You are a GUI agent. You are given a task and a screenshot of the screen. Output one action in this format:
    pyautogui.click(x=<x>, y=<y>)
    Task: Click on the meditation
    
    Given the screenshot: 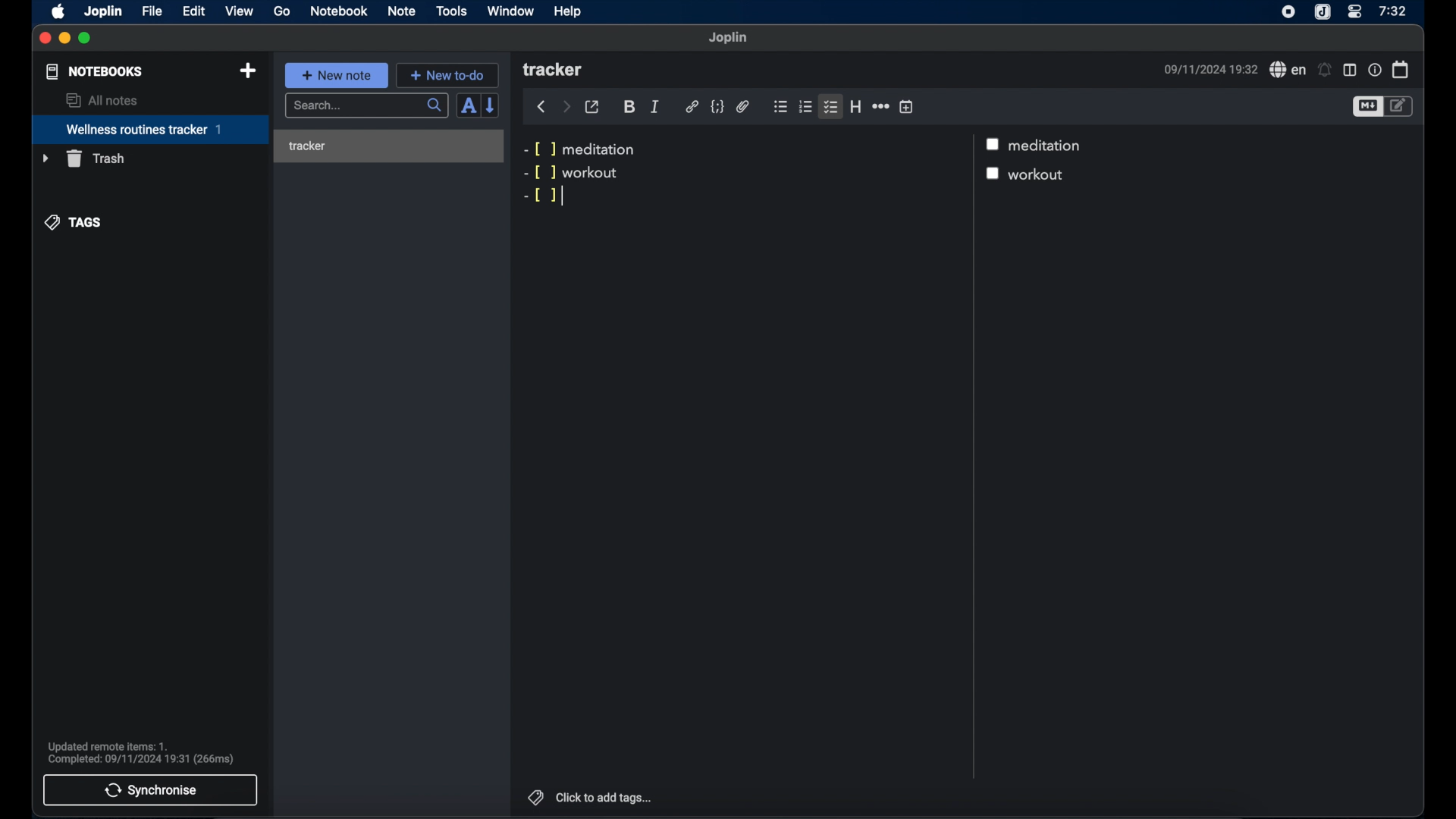 What is the action you would take?
    pyautogui.click(x=1048, y=146)
    